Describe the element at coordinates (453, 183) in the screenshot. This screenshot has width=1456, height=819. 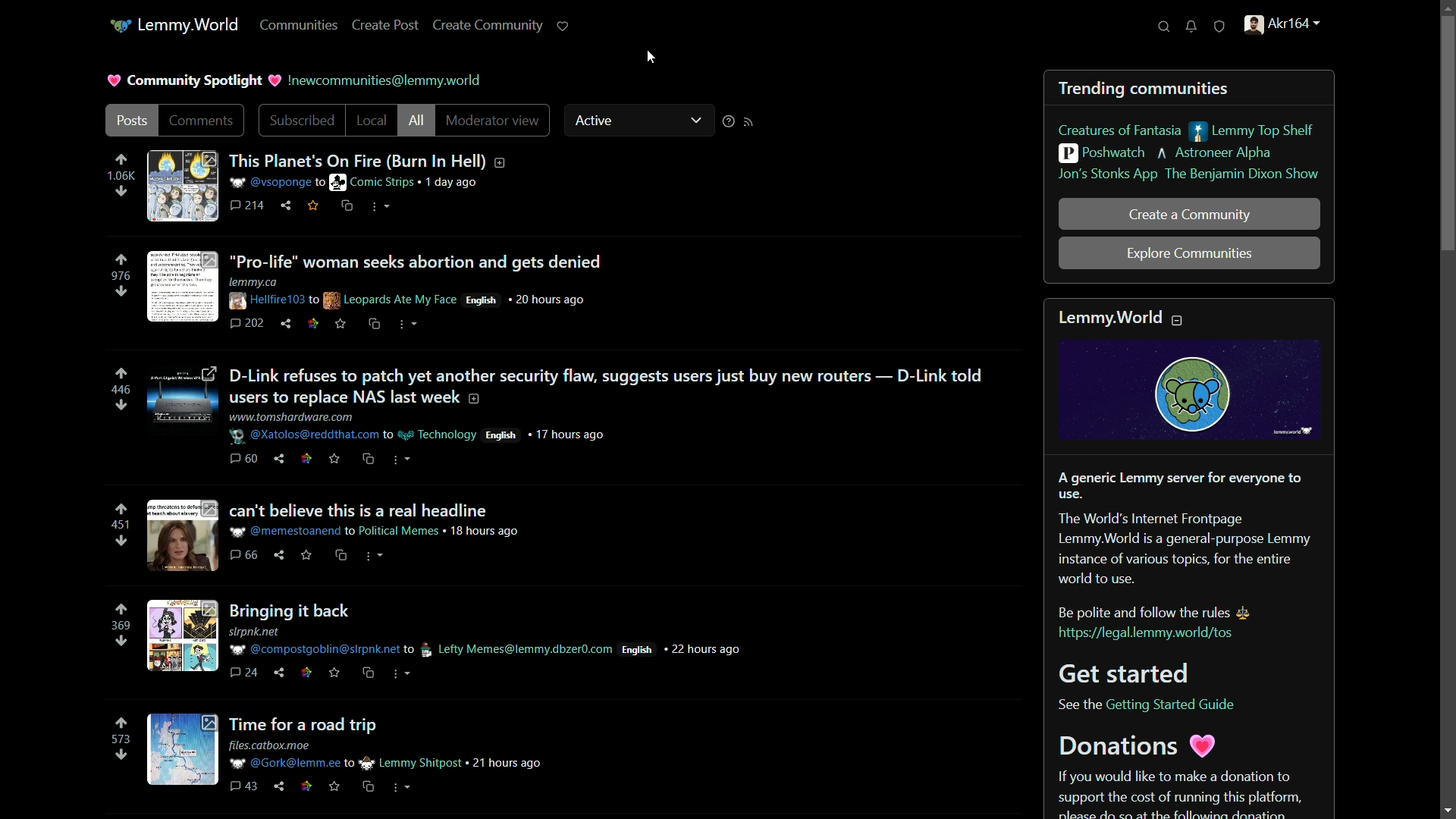
I see `1 day ago` at that location.